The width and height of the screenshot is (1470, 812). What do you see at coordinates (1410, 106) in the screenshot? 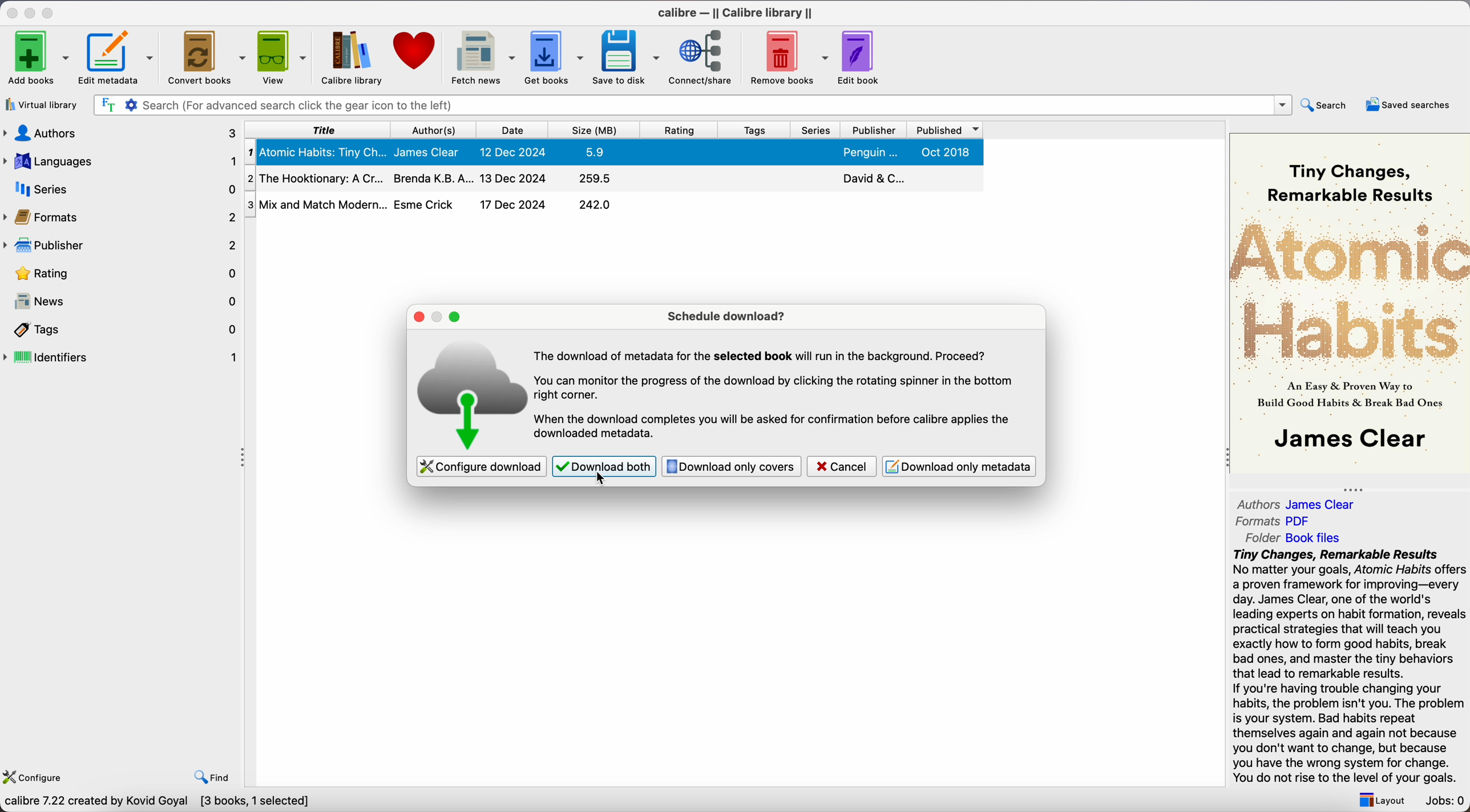
I see `saved searches` at bounding box center [1410, 106].